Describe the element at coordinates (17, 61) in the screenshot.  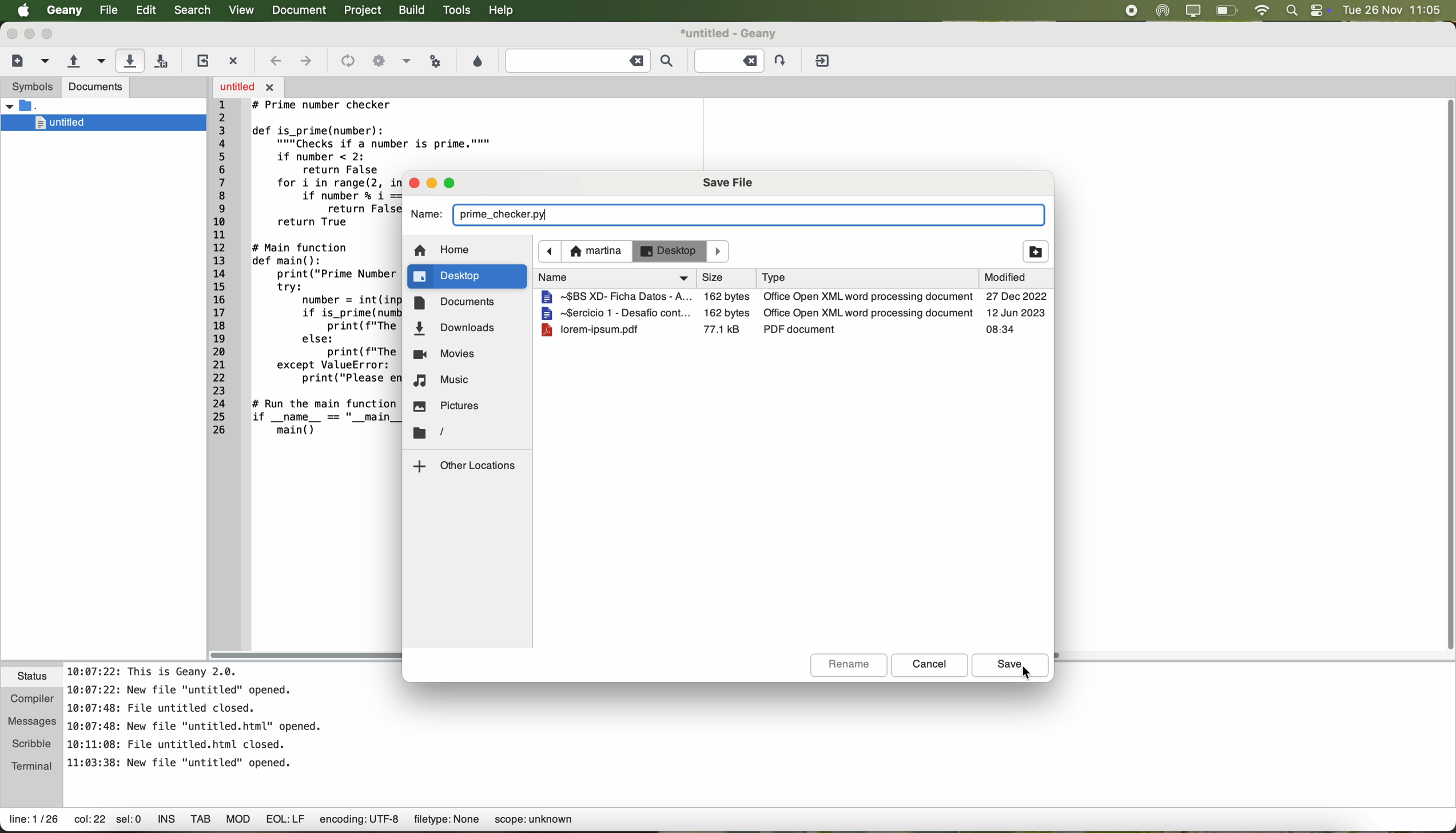
I see `create a new file` at that location.